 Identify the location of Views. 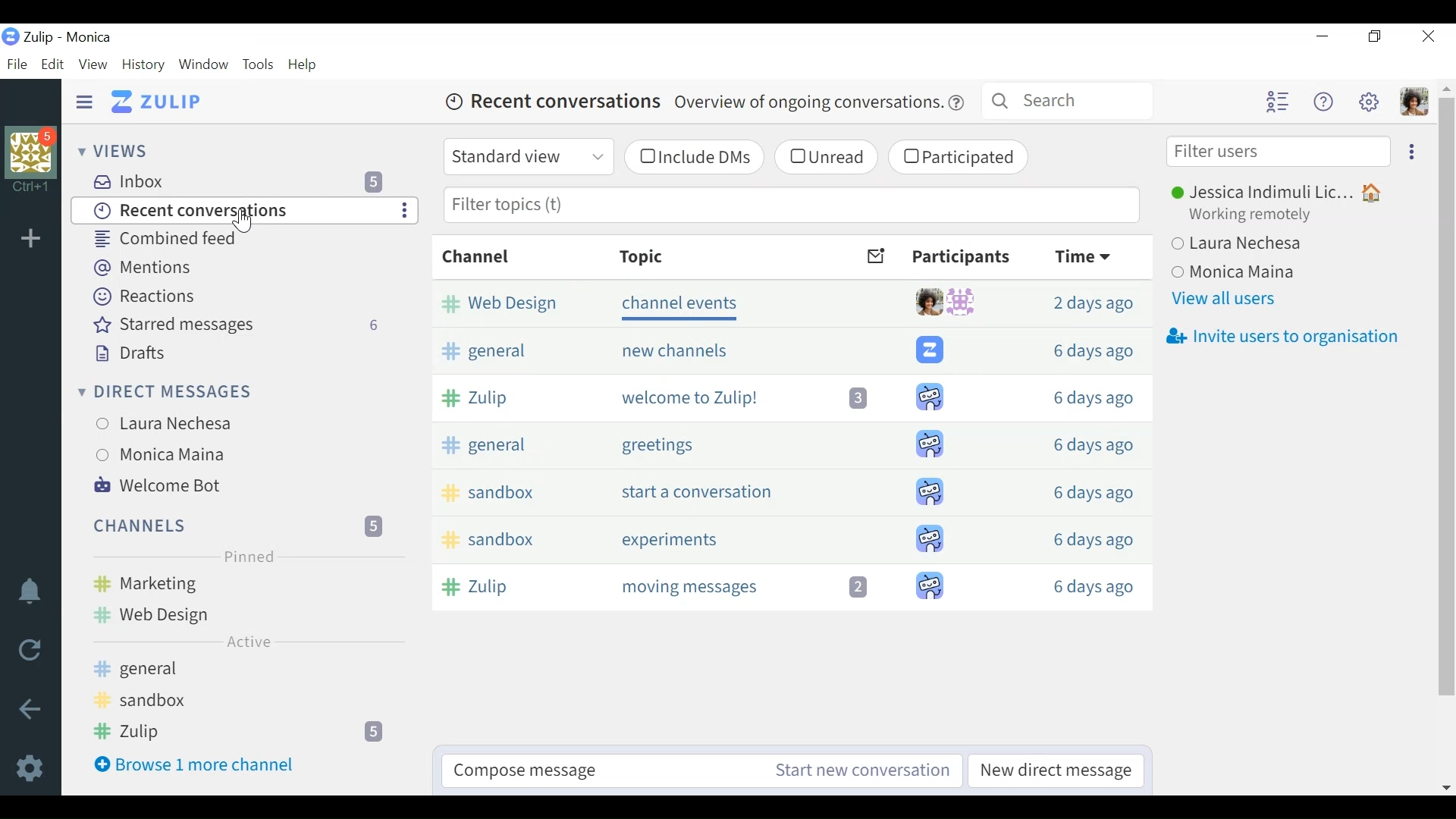
(116, 152).